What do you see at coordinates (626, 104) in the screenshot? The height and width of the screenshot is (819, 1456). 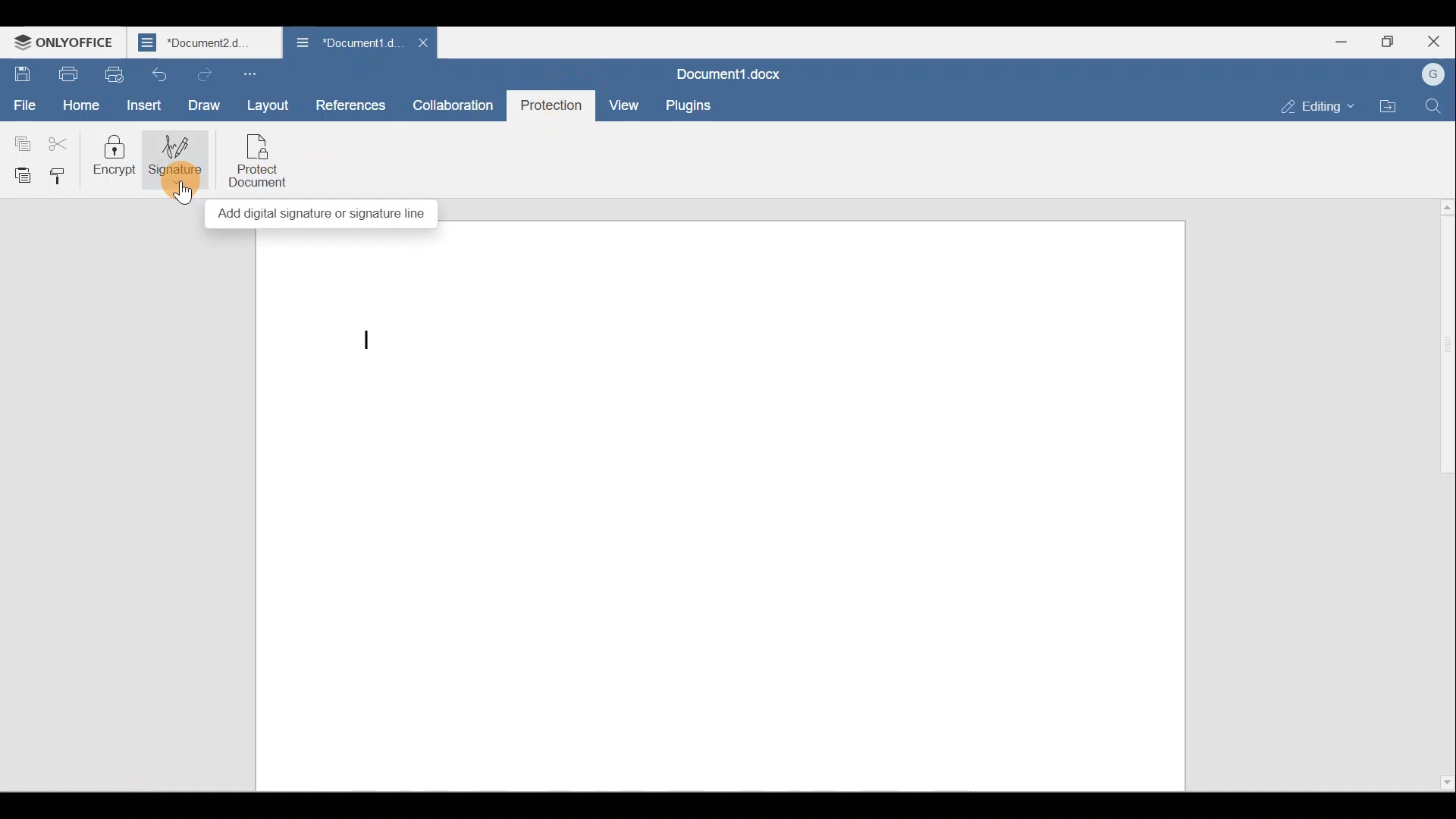 I see `View` at bounding box center [626, 104].